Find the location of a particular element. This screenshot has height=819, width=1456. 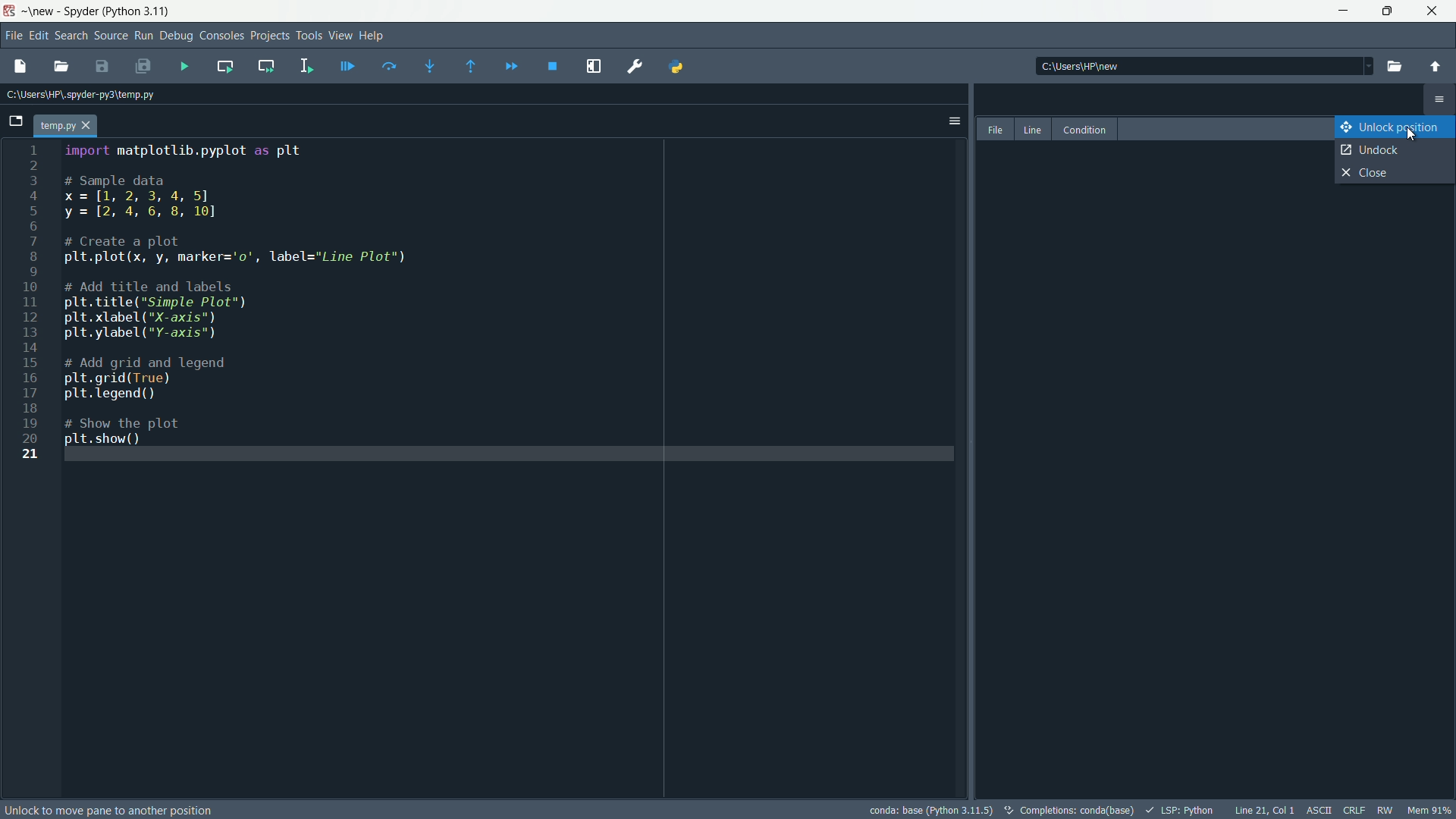

browse tab is located at coordinates (17, 121).